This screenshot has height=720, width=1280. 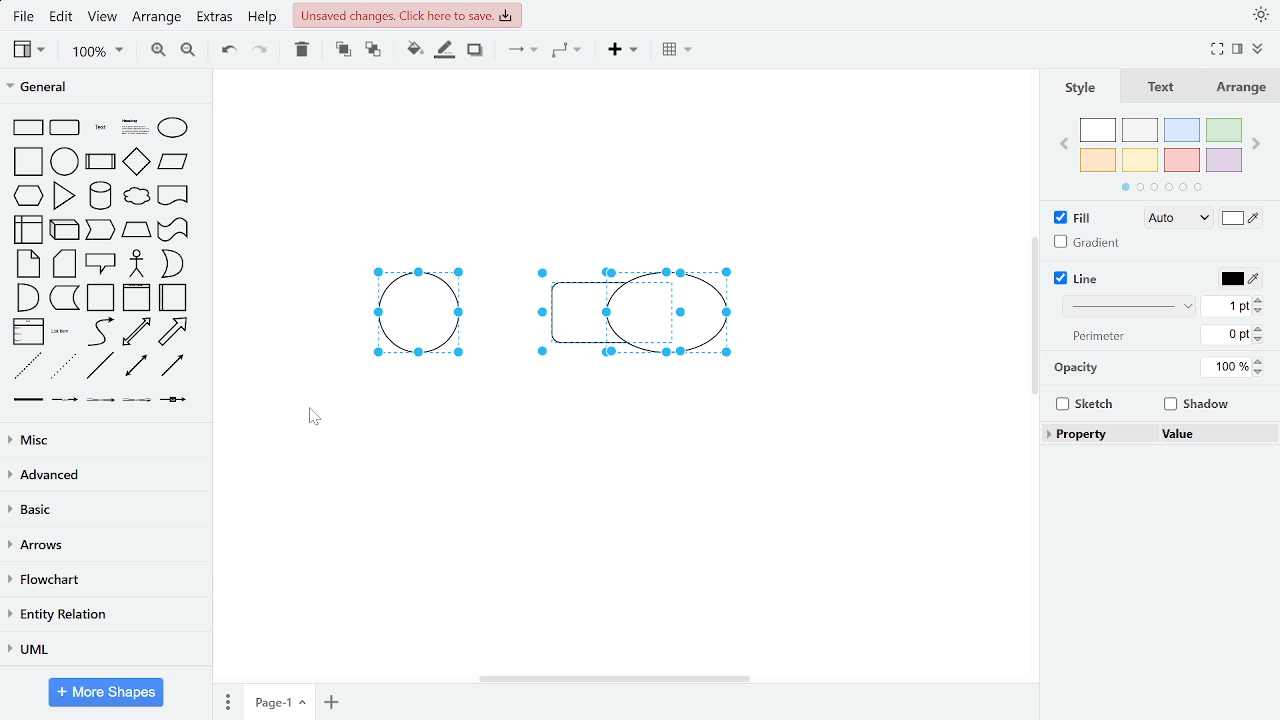 What do you see at coordinates (230, 51) in the screenshot?
I see `undo` at bounding box center [230, 51].